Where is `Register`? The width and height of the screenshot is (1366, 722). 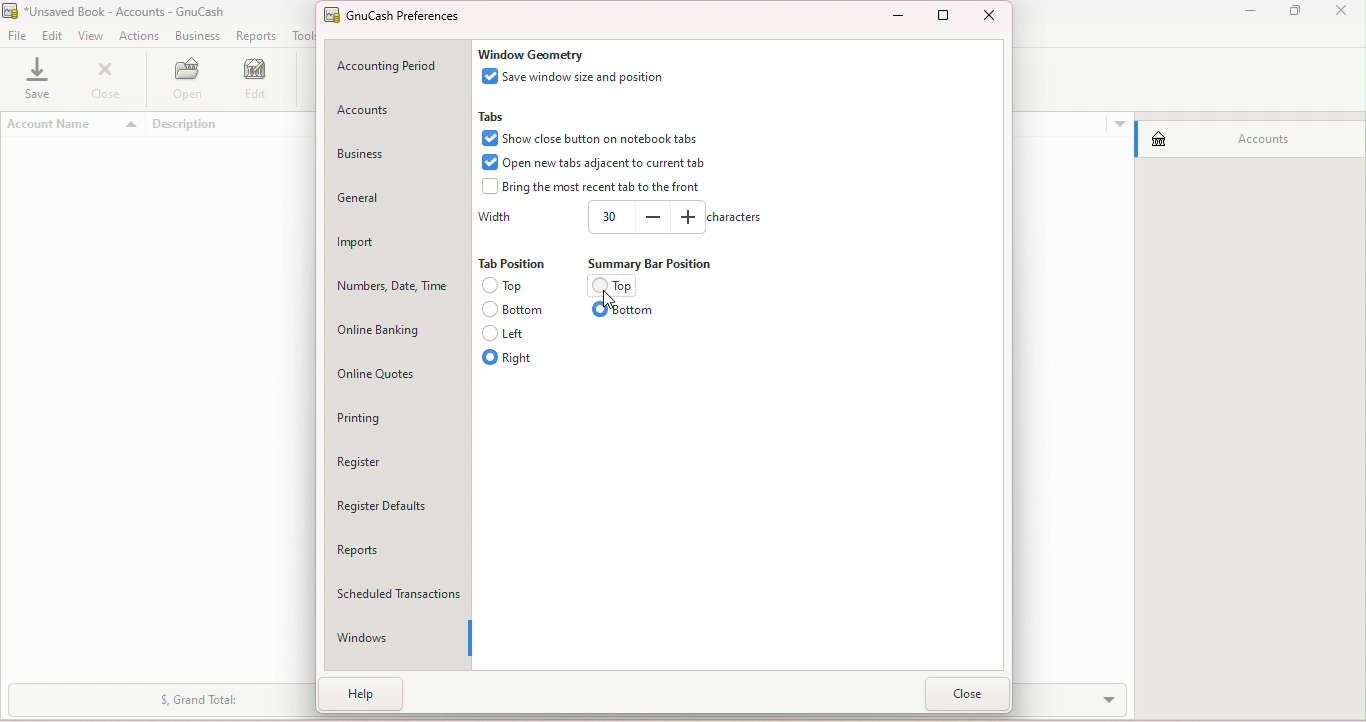 Register is located at coordinates (401, 459).